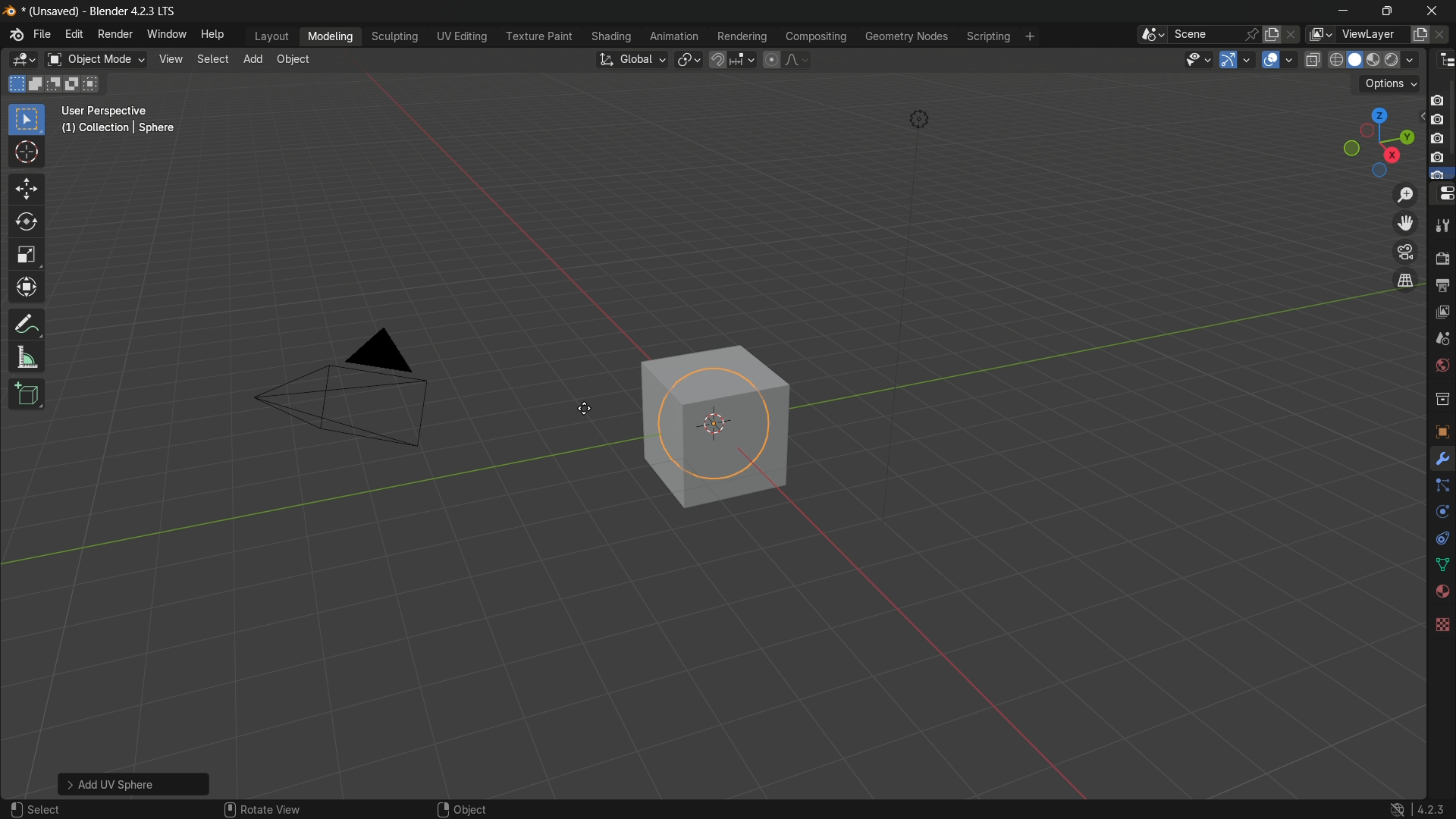 The image size is (1456, 819). What do you see at coordinates (29, 225) in the screenshot?
I see `rotate` at bounding box center [29, 225].